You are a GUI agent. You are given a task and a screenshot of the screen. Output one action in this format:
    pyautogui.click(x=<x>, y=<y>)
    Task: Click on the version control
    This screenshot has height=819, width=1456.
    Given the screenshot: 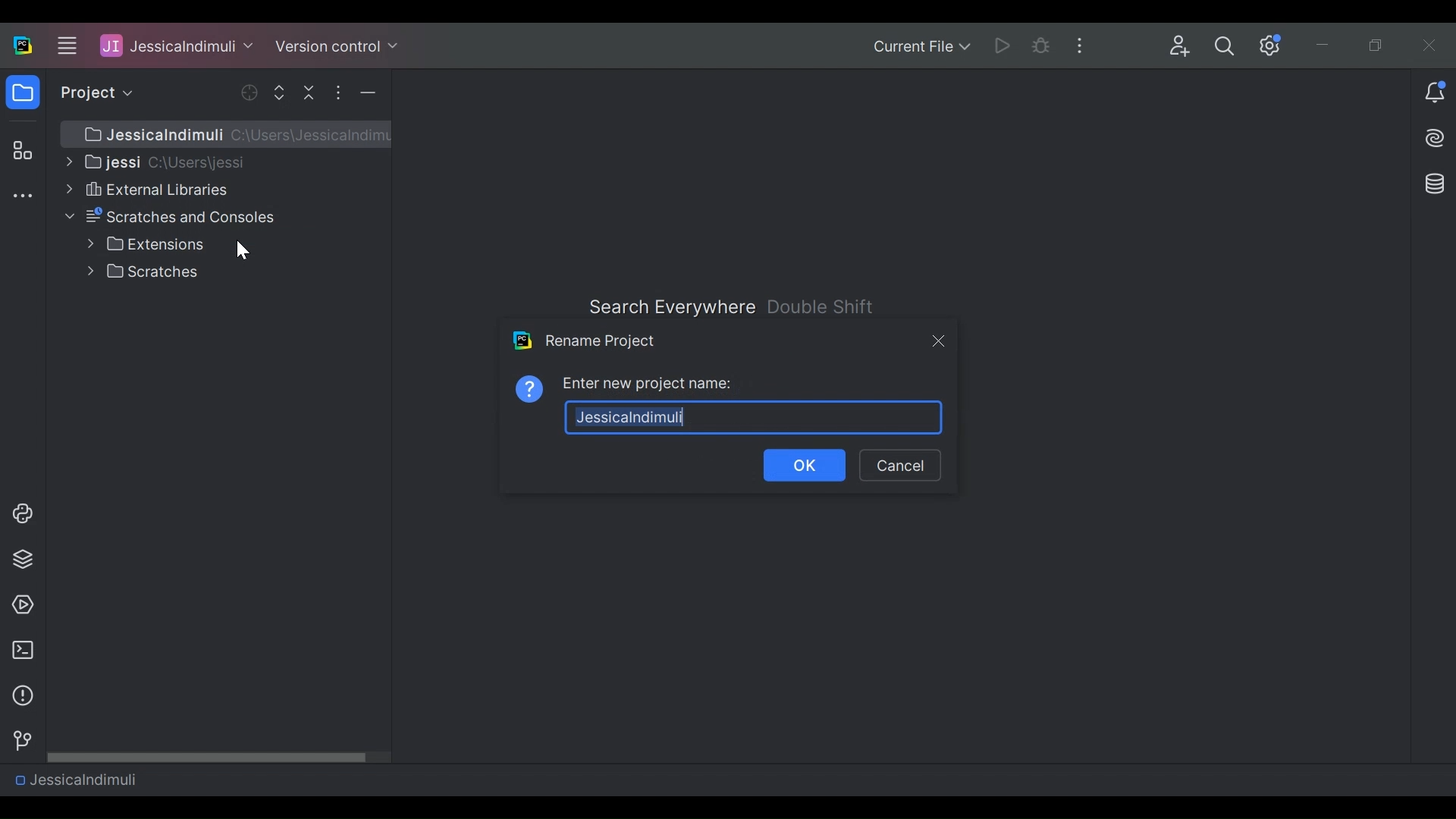 What is the action you would take?
    pyautogui.click(x=18, y=741)
    